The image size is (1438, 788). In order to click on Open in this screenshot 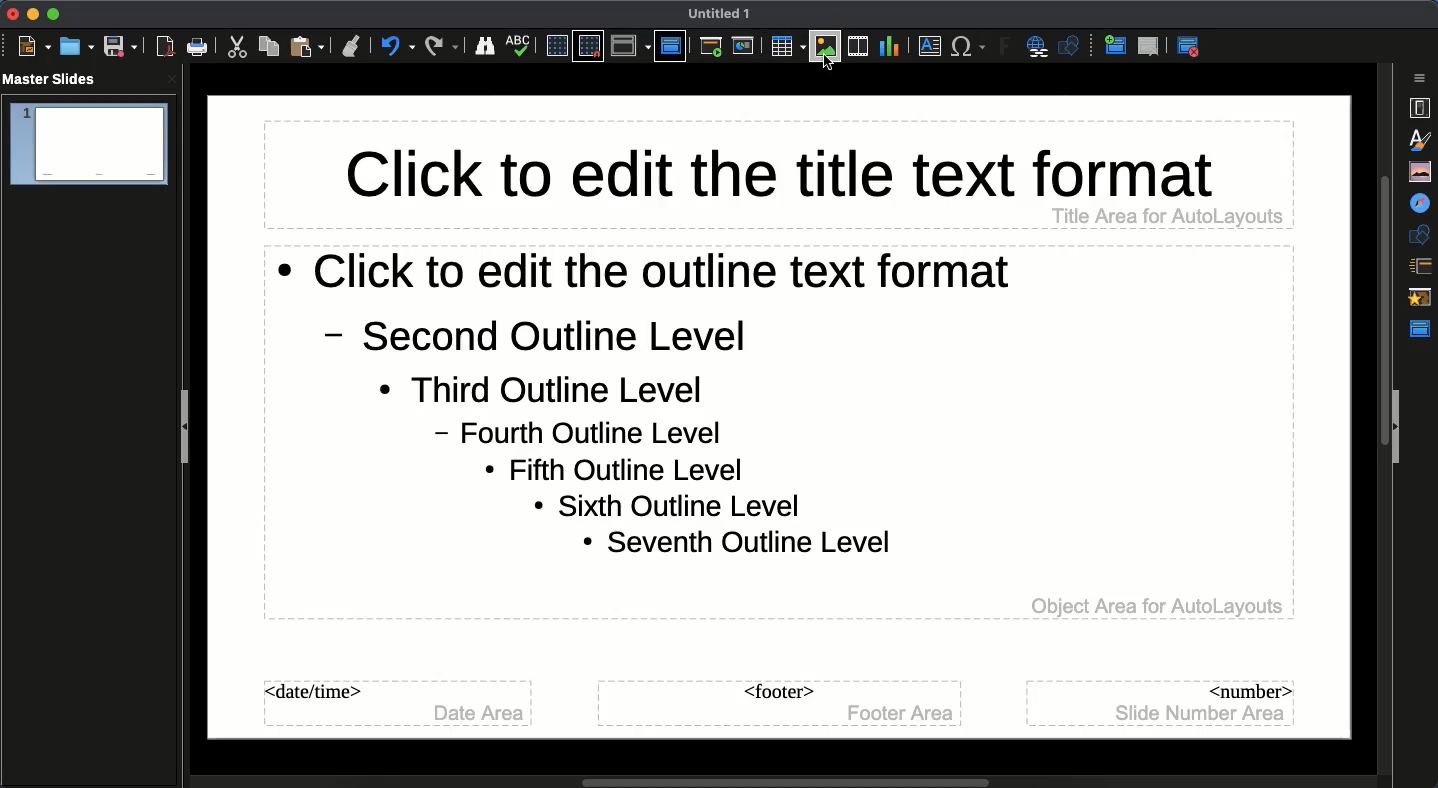, I will do `click(75, 46)`.